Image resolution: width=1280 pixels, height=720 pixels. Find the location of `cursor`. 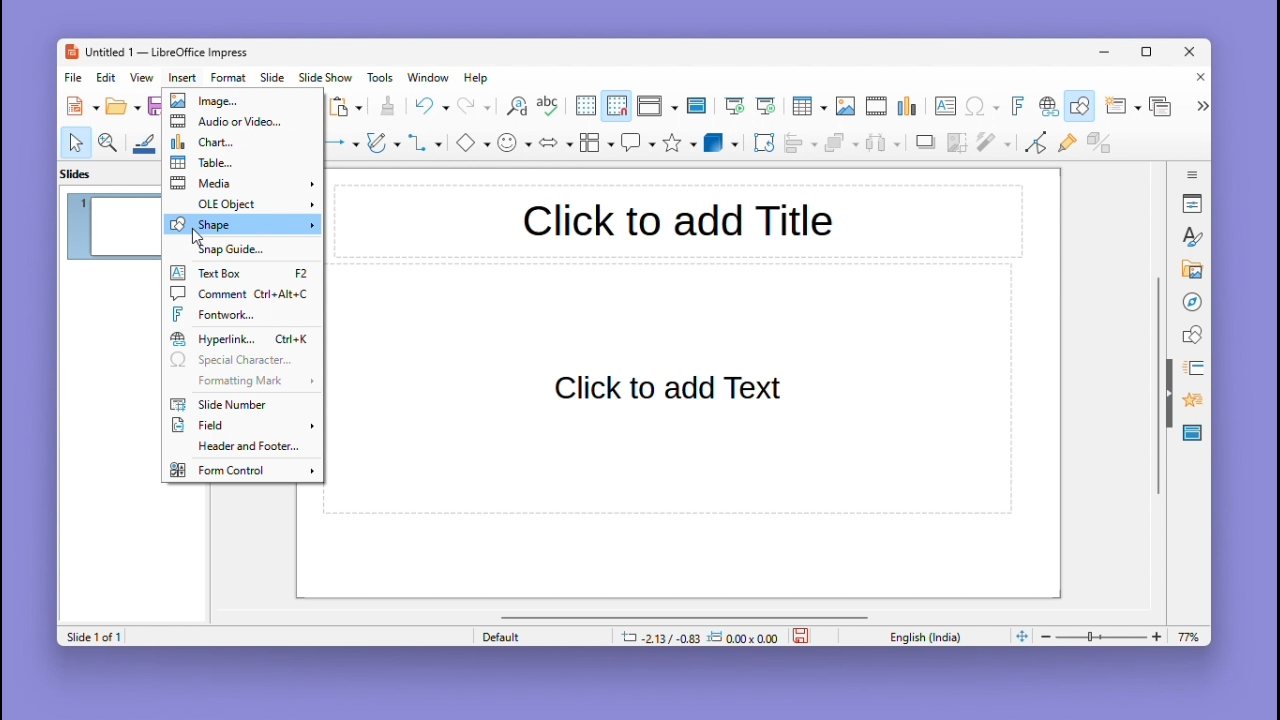

cursor is located at coordinates (192, 237).